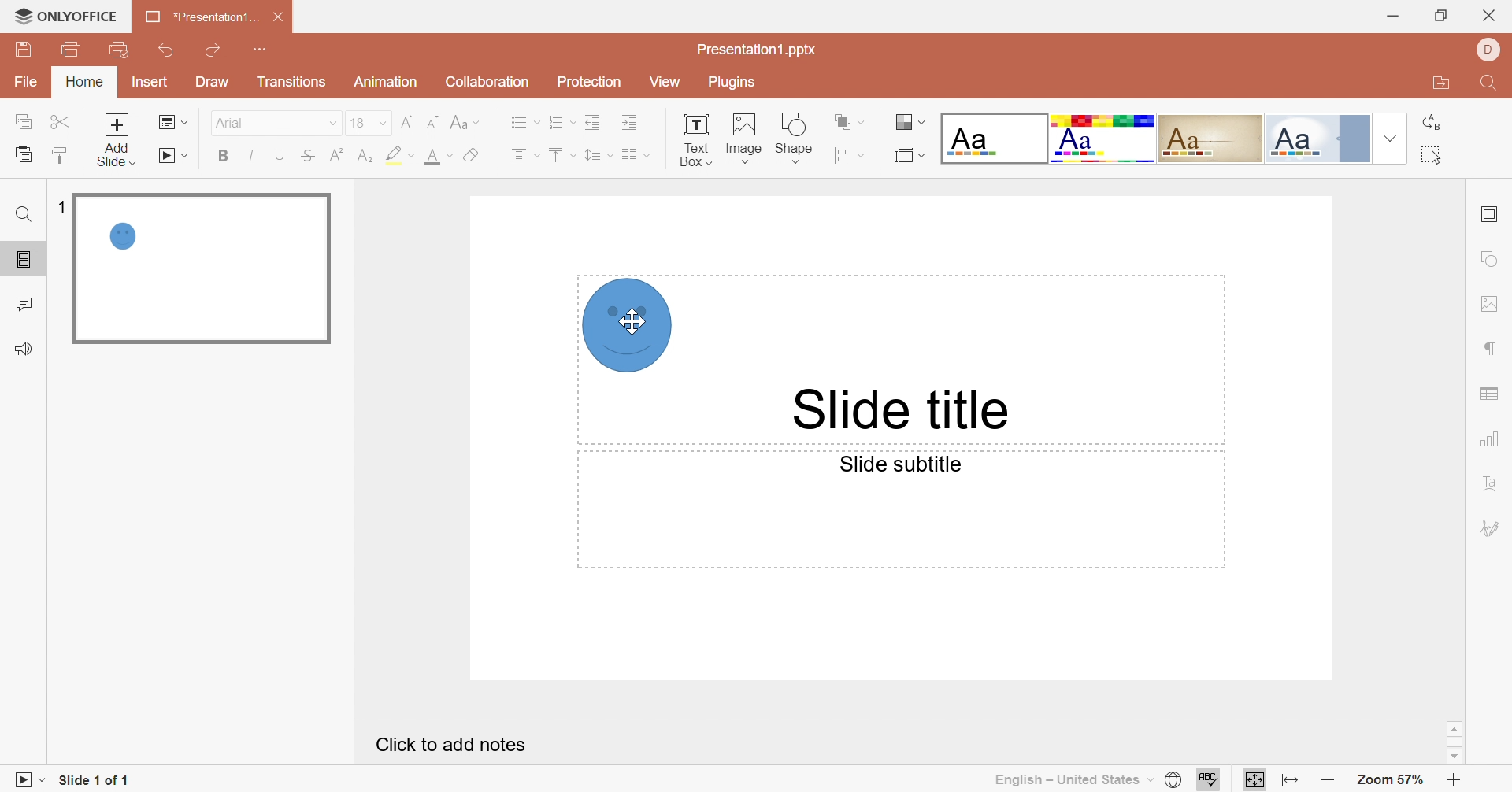  I want to click on paragraph settings, so click(1492, 350).